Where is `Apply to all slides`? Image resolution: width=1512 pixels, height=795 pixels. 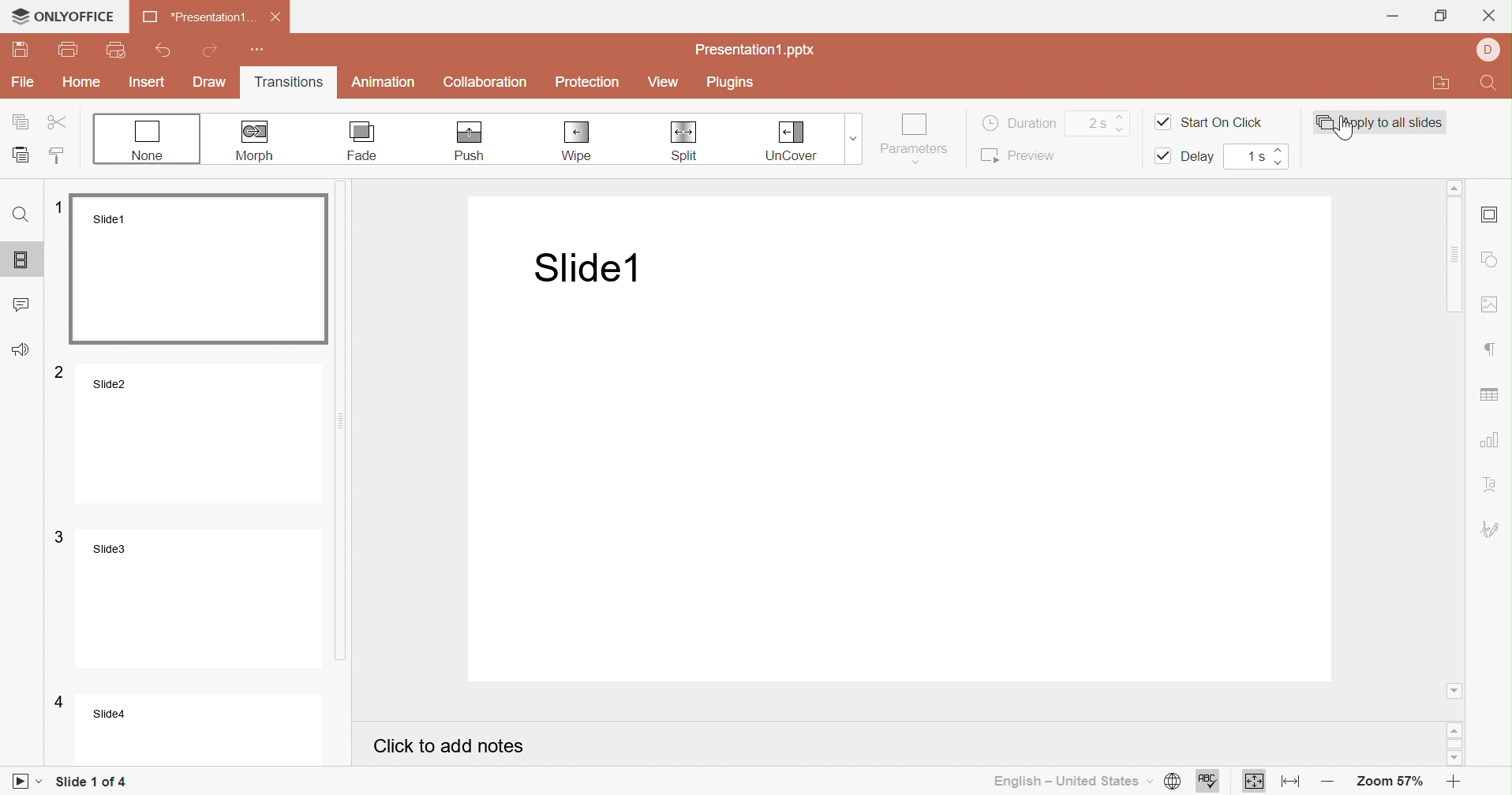 Apply to all slides is located at coordinates (1376, 121).